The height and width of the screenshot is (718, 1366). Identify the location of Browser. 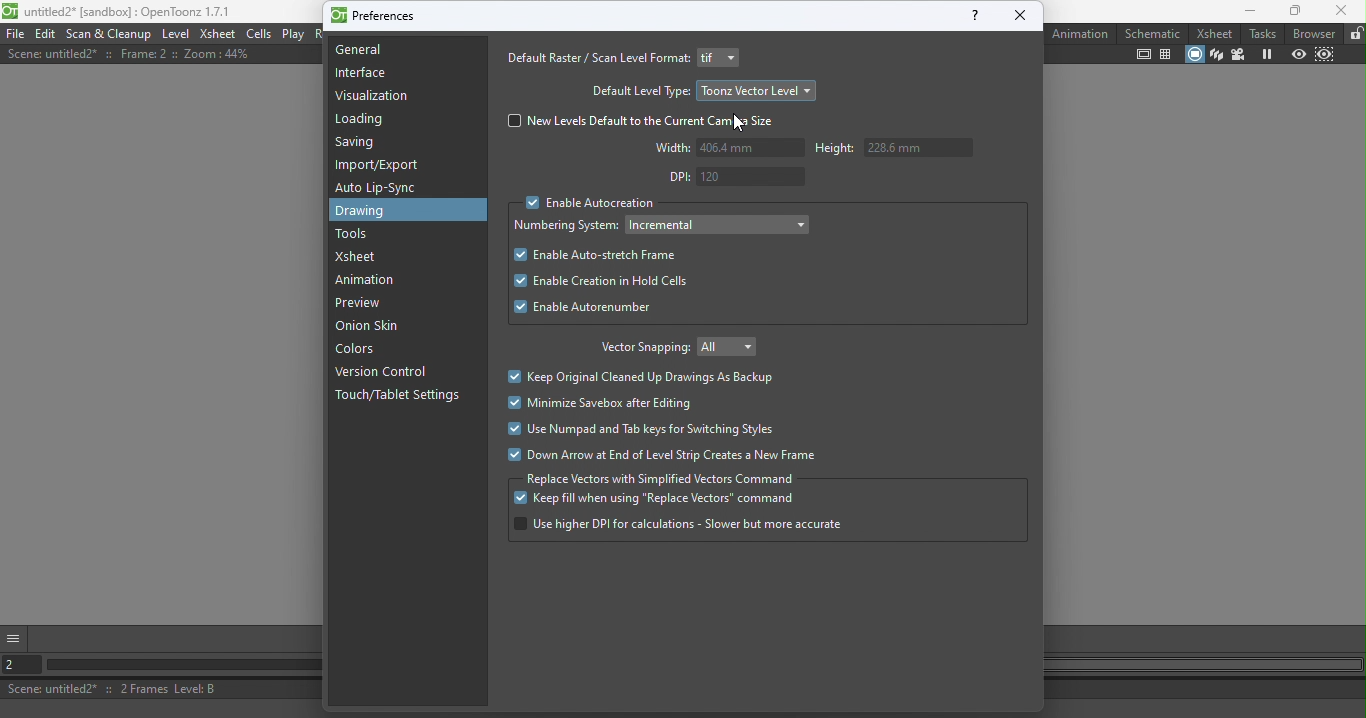
(1311, 33).